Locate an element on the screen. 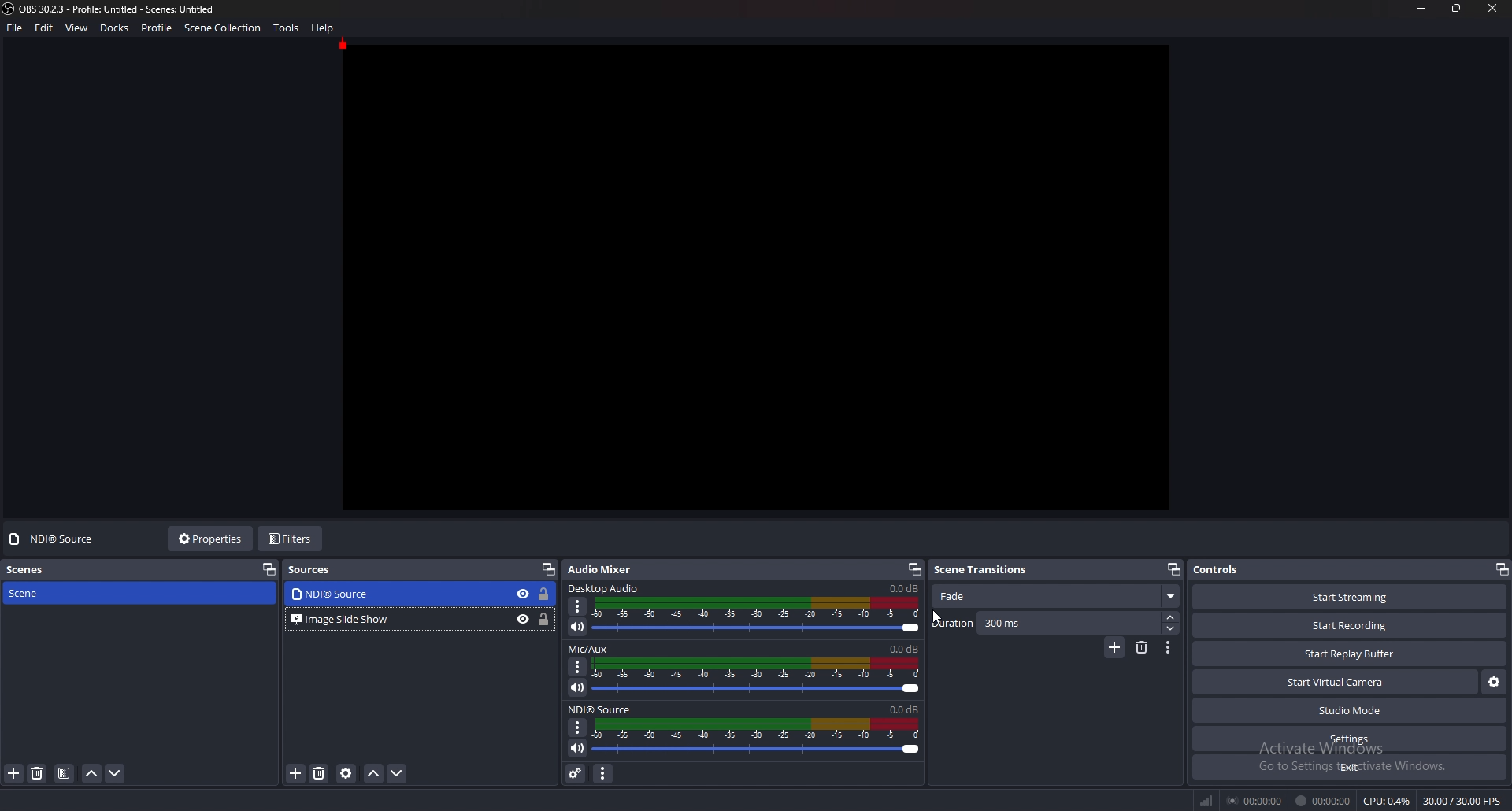 This screenshot has height=811, width=1512. CPu is located at coordinates (1385, 797).